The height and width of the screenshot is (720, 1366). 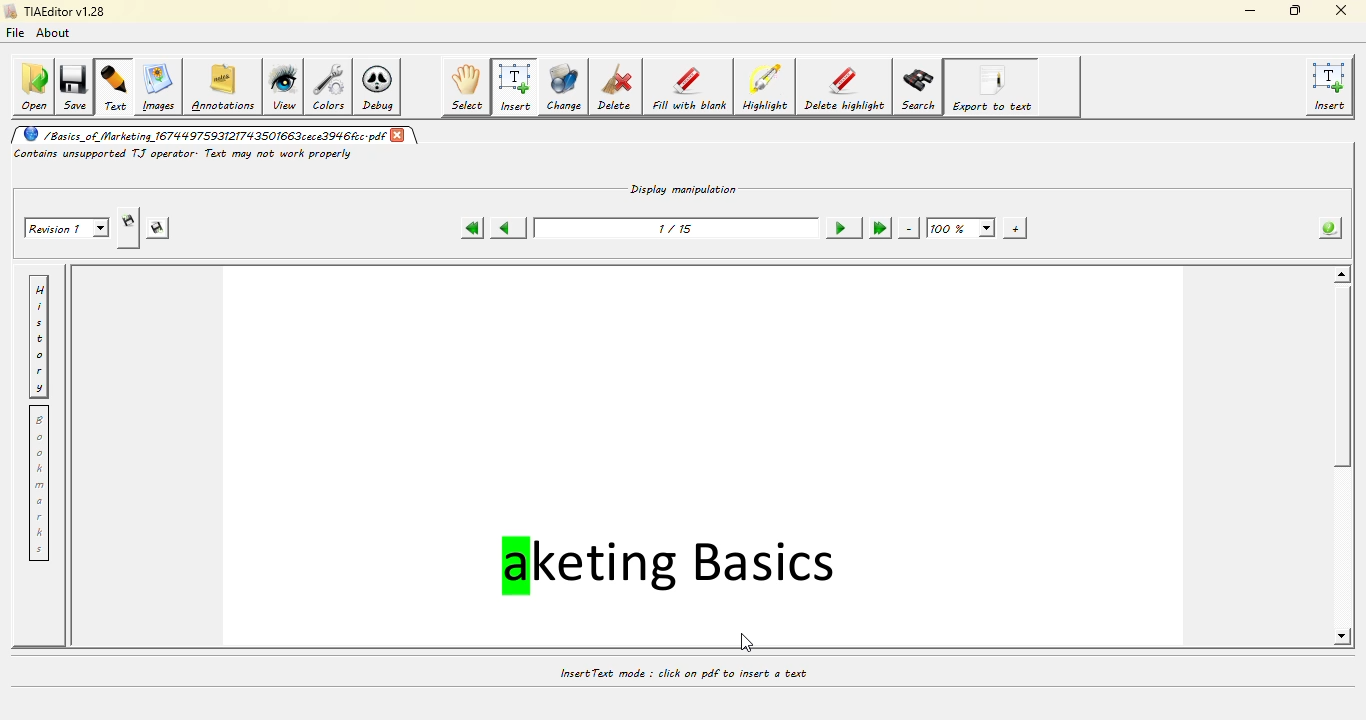 I want to click on bookmarks, so click(x=41, y=484).